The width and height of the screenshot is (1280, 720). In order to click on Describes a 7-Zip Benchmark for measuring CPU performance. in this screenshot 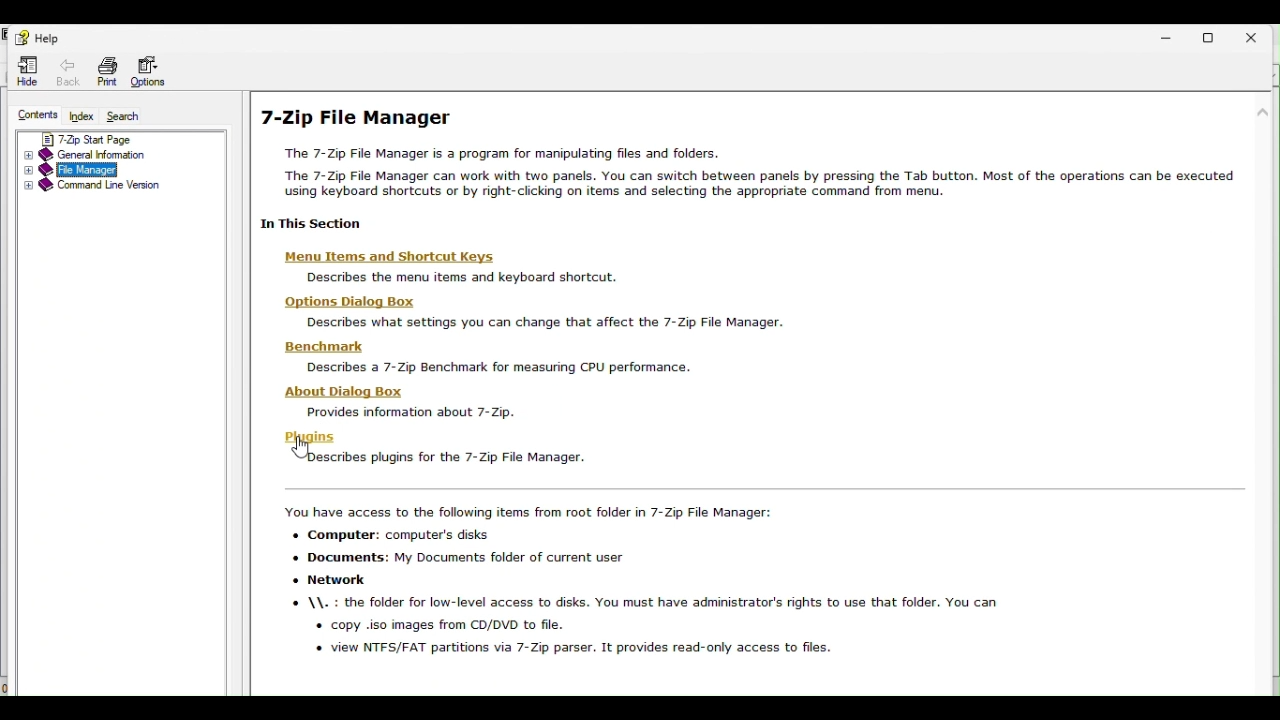, I will do `click(498, 367)`.